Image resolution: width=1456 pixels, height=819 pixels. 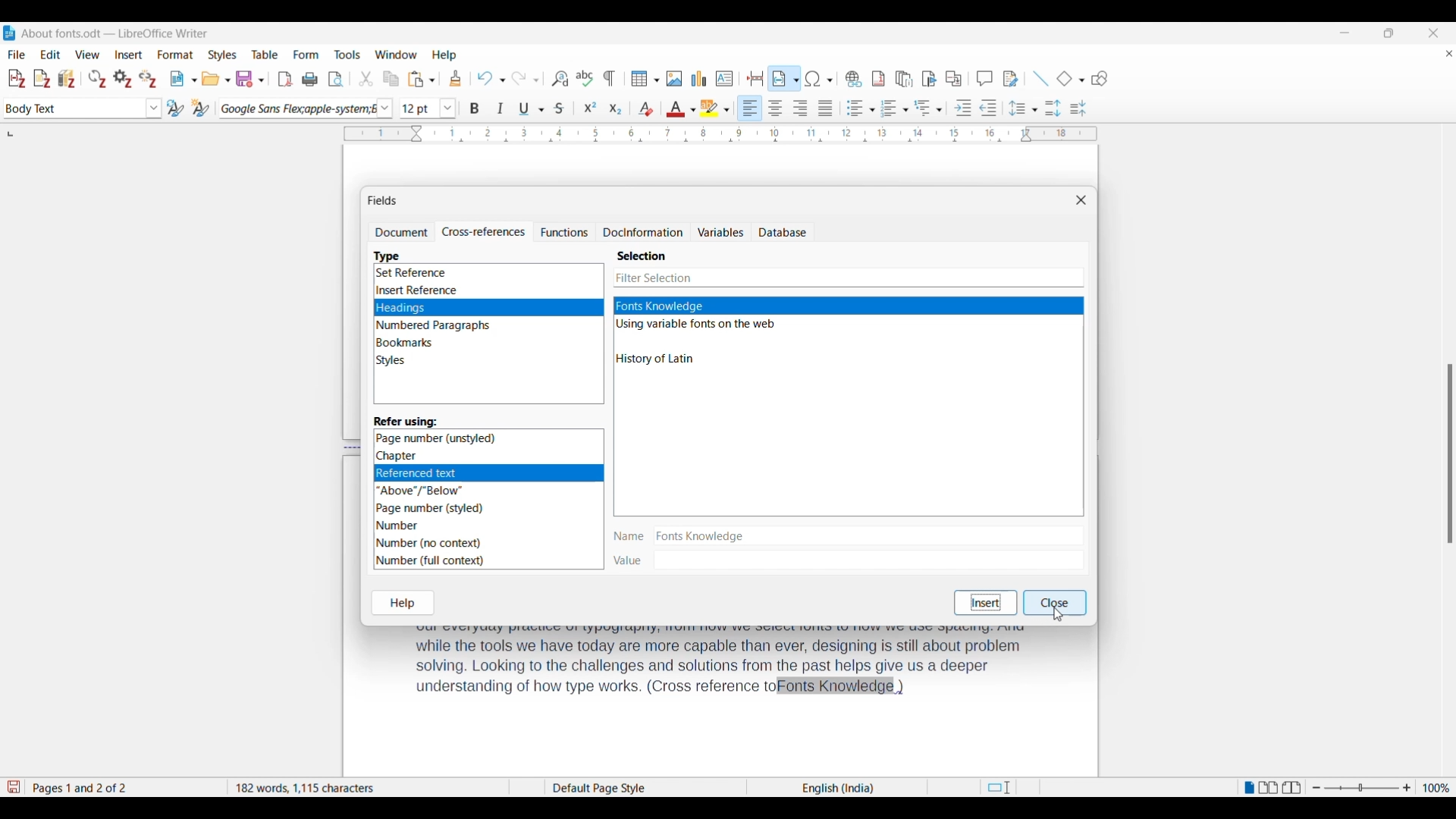 What do you see at coordinates (861, 108) in the screenshot?
I see `Toggle unordered list` at bounding box center [861, 108].